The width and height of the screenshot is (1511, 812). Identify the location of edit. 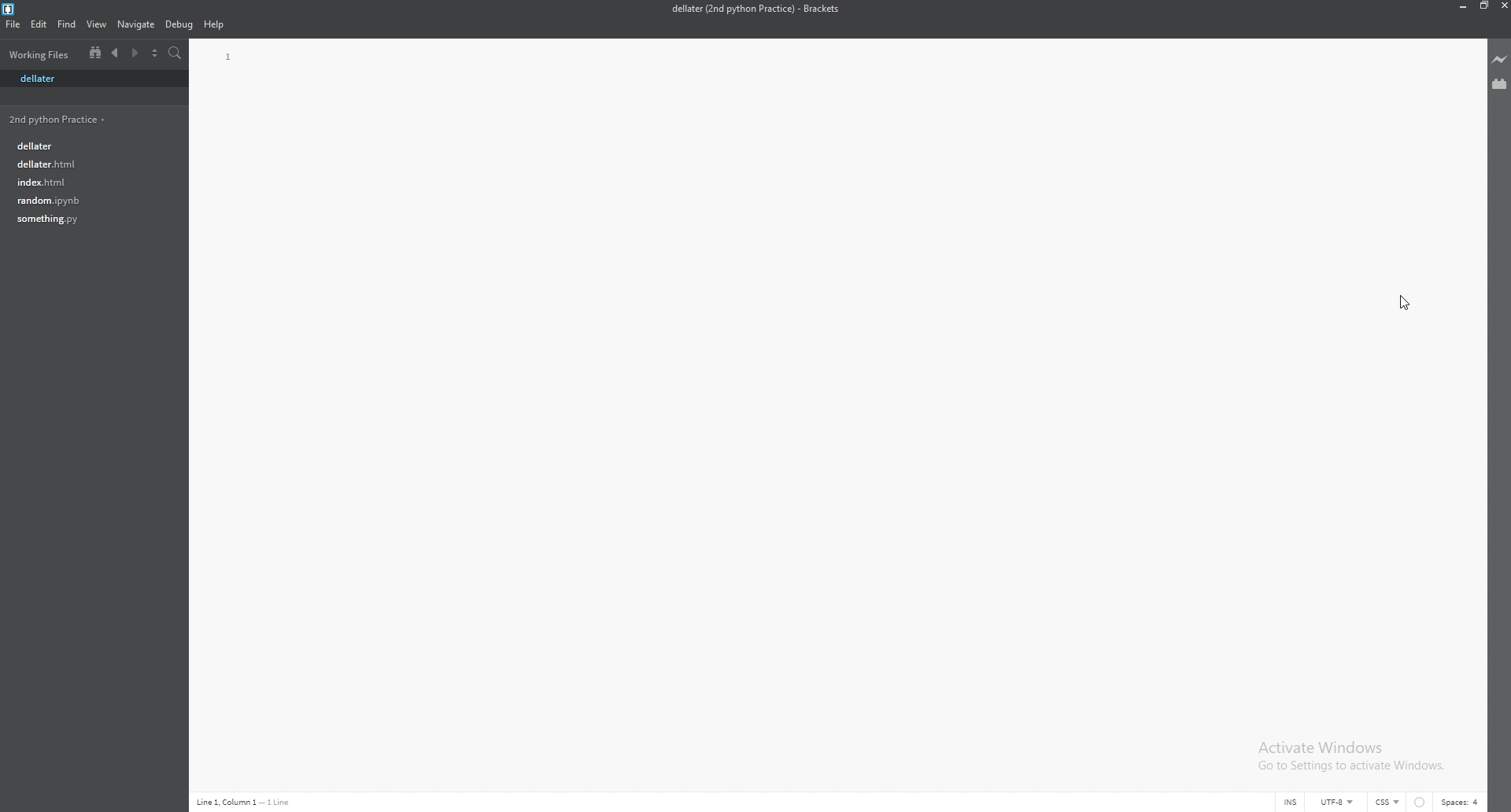
(39, 24).